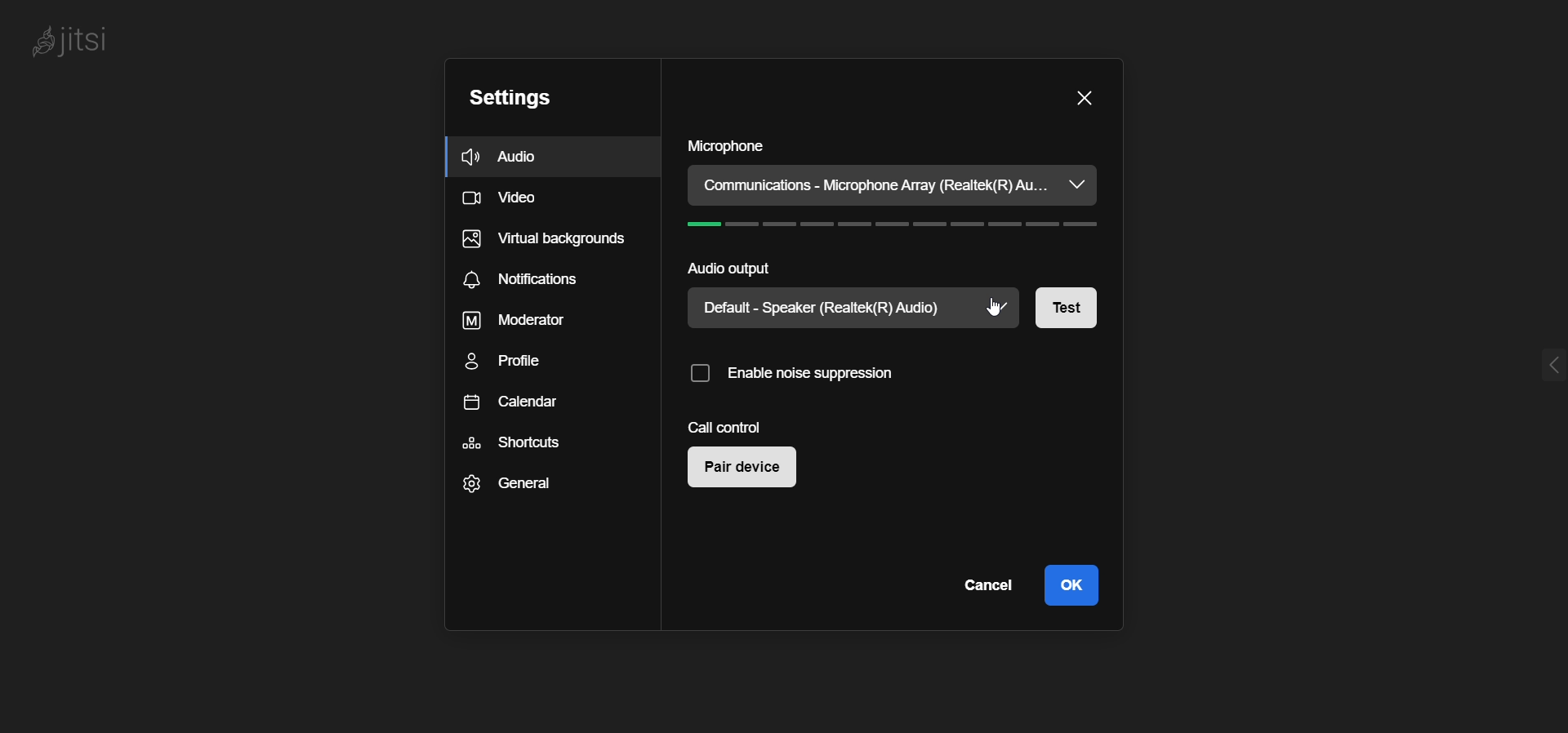 The height and width of the screenshot is (733, 1568). Describe the element at coordinates (508, 100) in the screenshot. I see `settings` at that location.